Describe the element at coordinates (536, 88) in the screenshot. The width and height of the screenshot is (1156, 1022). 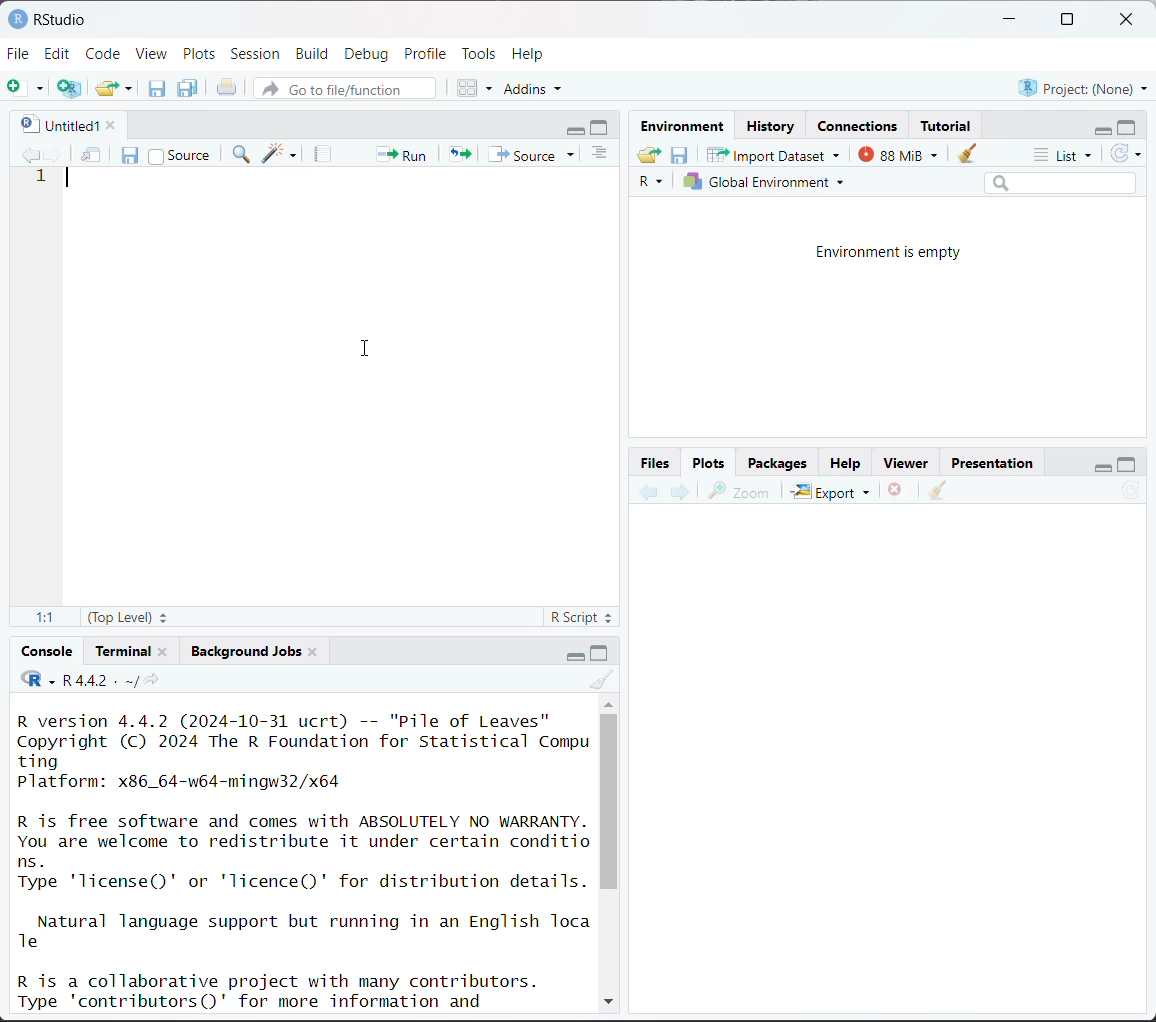
I see `addins` at that location.